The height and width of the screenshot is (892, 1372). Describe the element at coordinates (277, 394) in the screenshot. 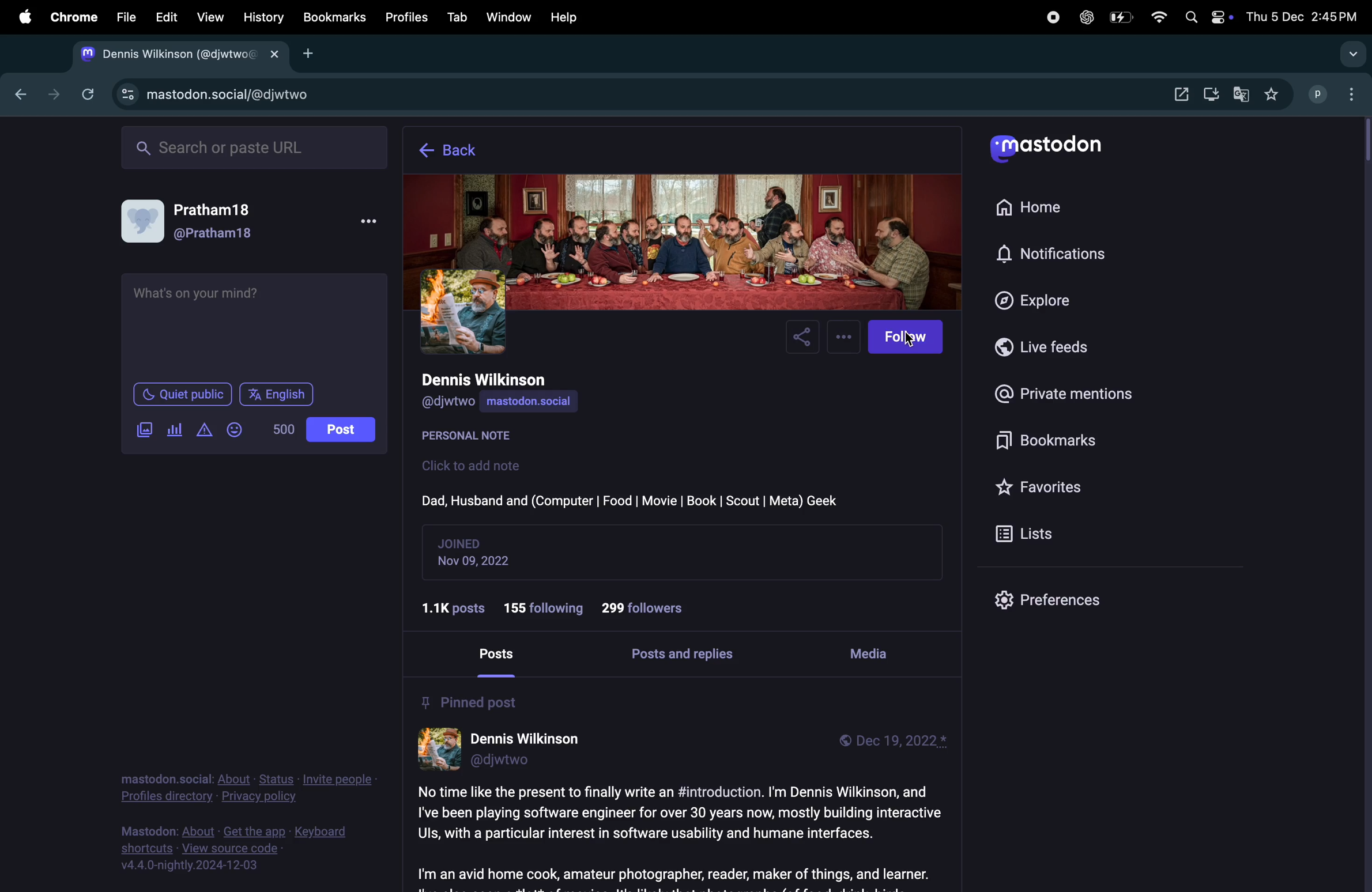

I see `English` at that location.